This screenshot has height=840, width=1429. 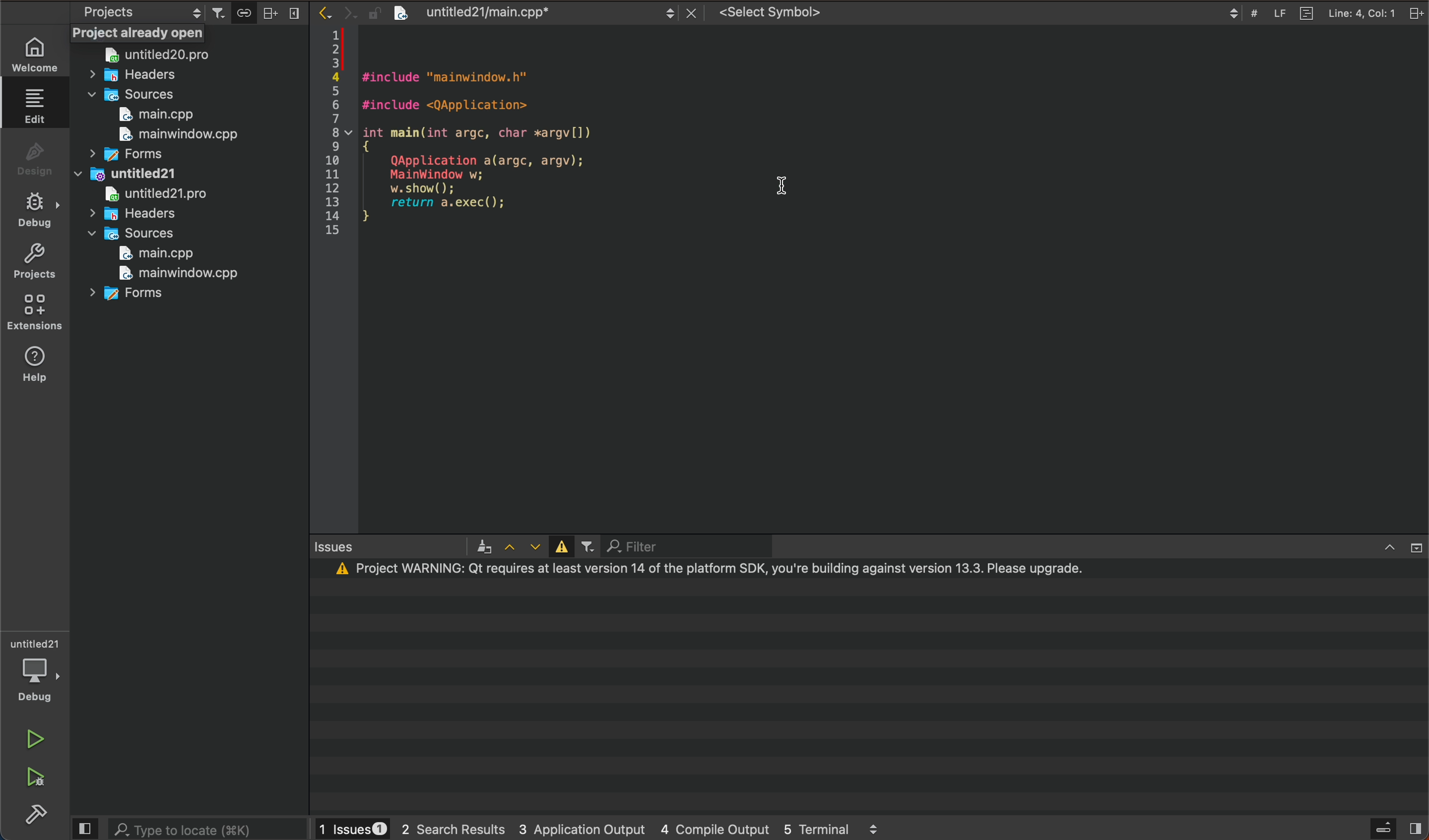 I want to click on arrows, so click(x=335, y=12).